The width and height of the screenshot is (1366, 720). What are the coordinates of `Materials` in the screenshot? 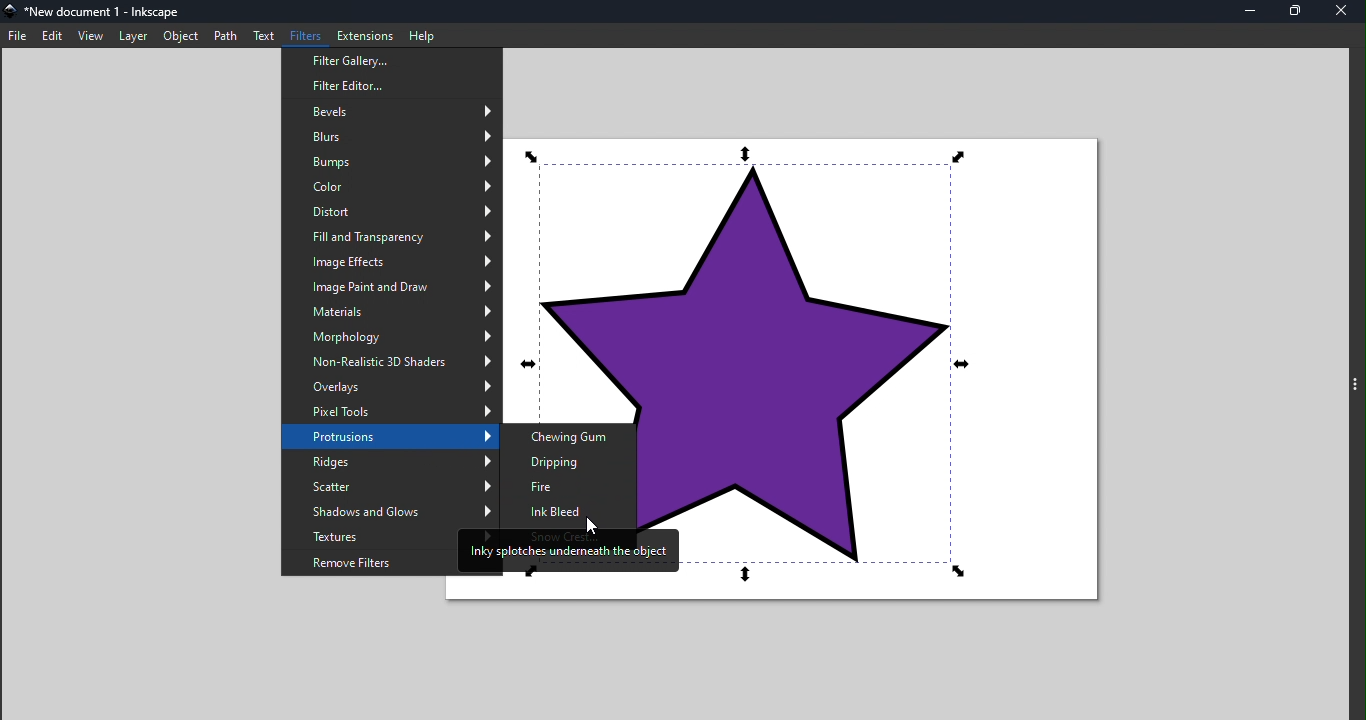 It's located at (392, 313).